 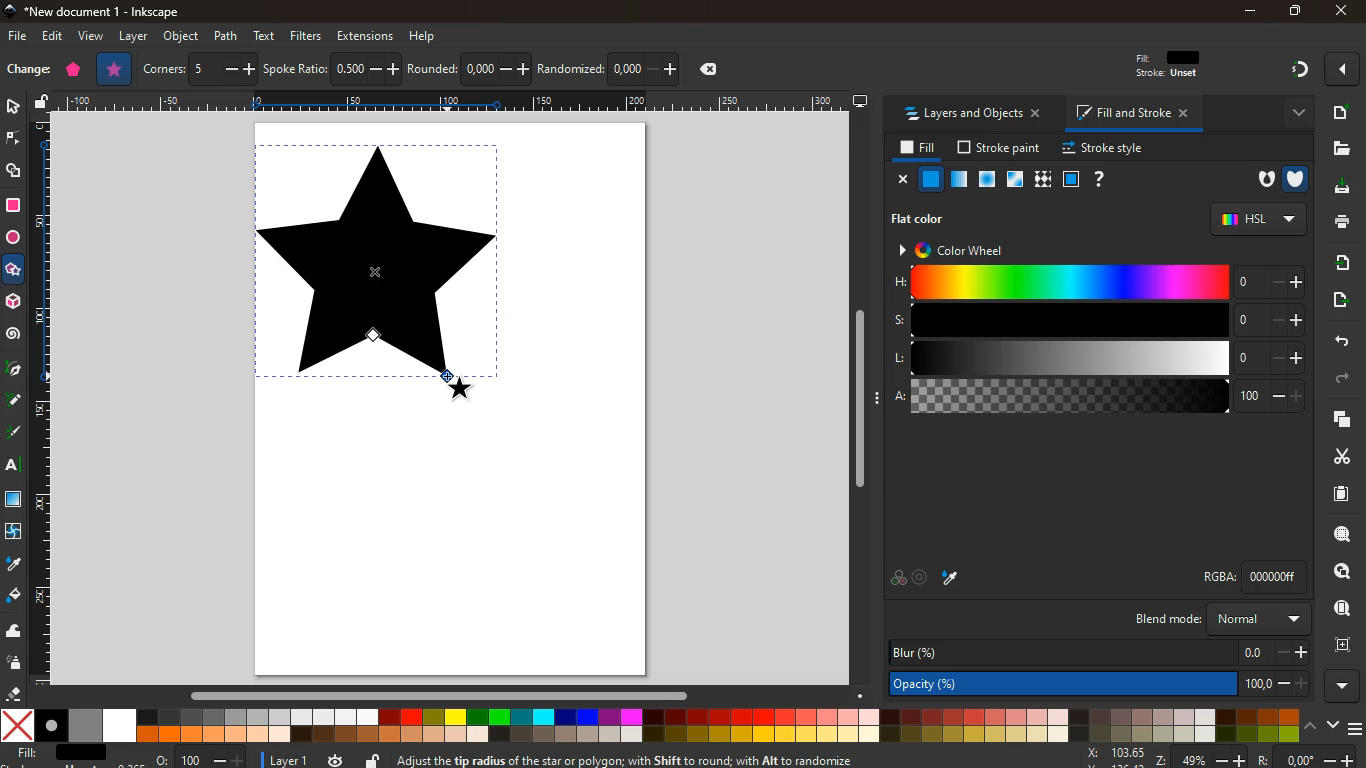 What do you see at coordinates (1259, 180) in the screenshot?
I see `hole` at bounding box center [1259, 180].